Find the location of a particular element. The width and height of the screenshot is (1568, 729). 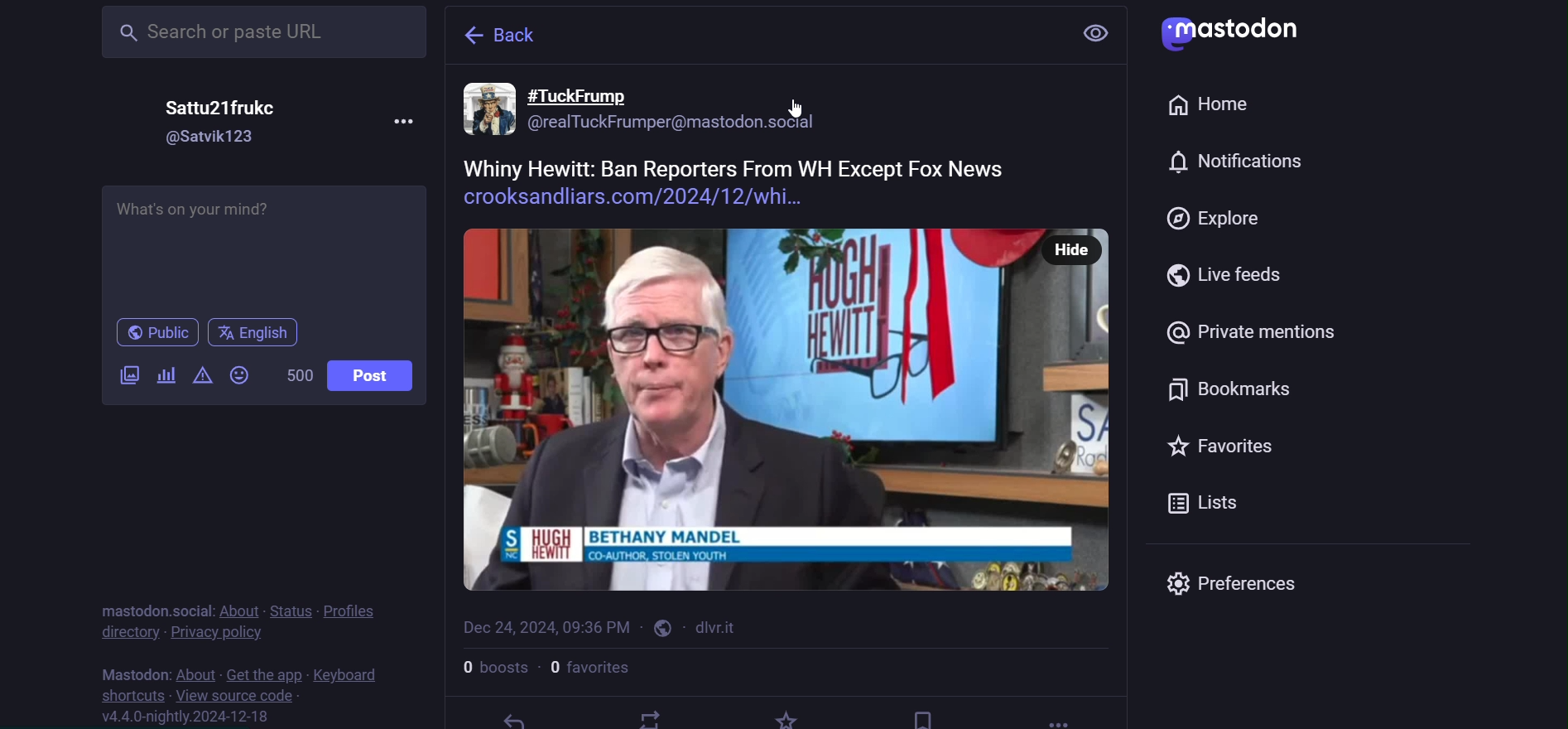

boosts is located at coordinates (490, 666).